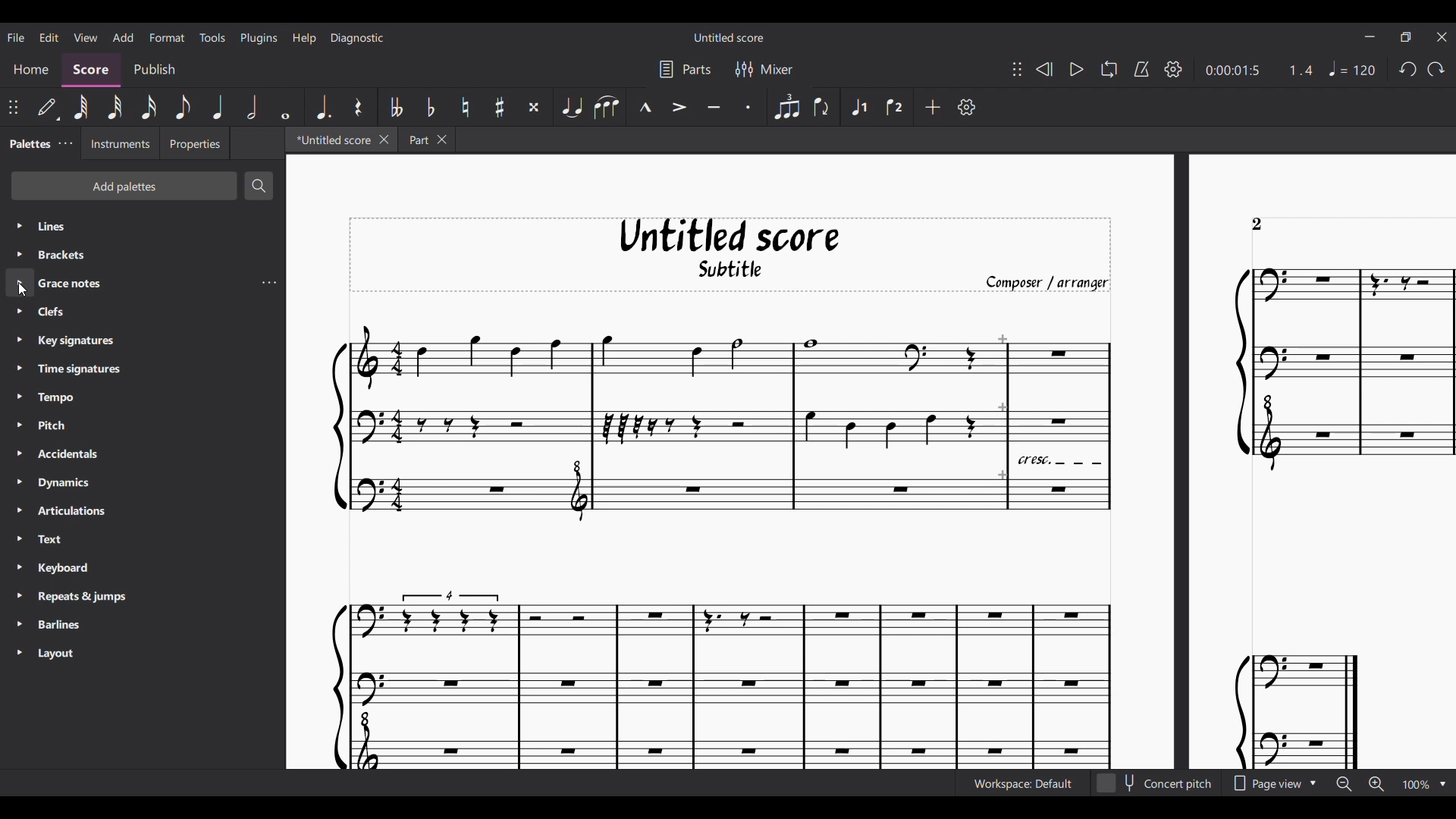  What do you see at coordinates (1436, 69) in the screenshot?
I see `Redo` at bounding box center [1436, 69].